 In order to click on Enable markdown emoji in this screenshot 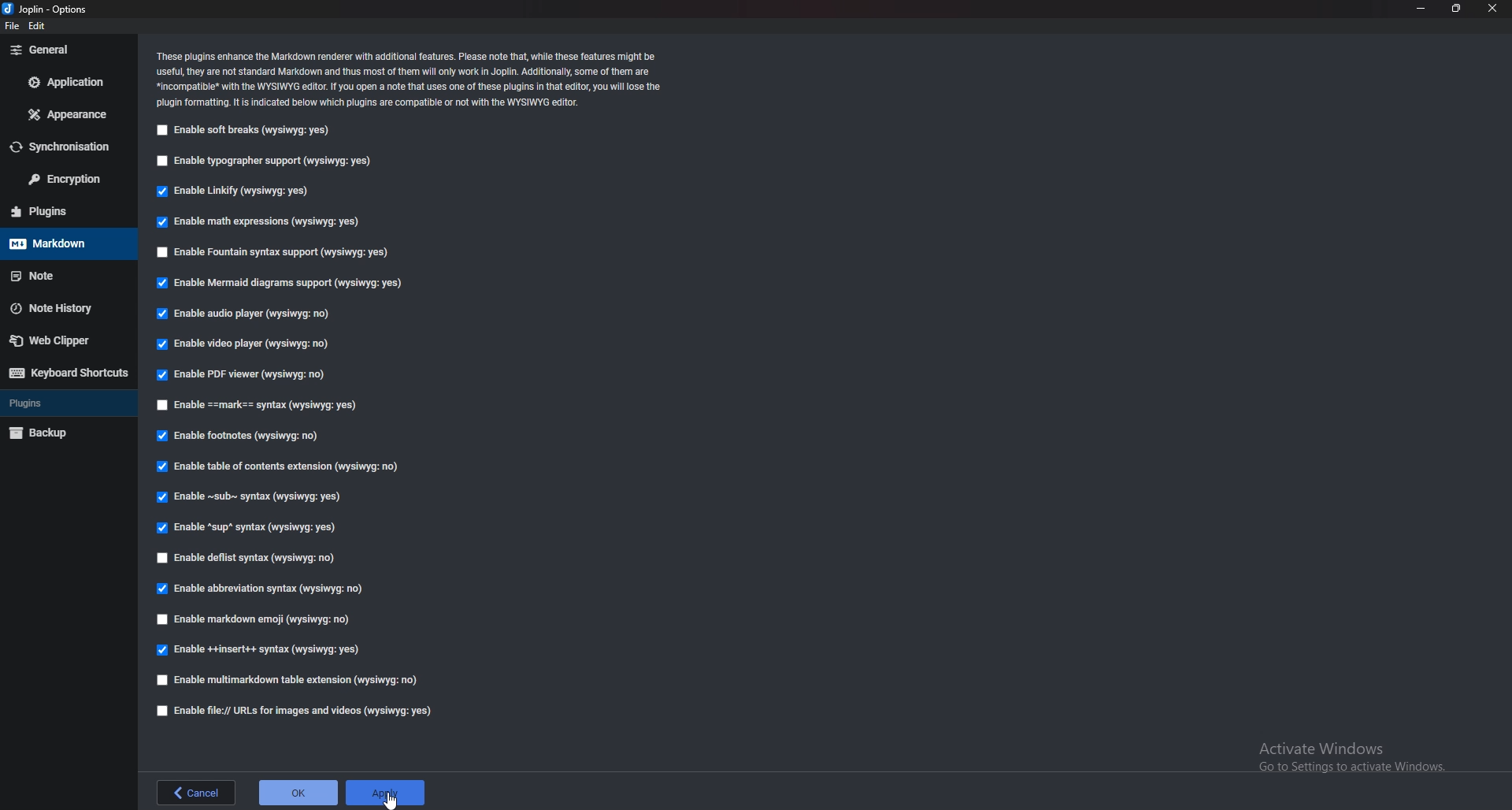, I will do `click(261, 618)`.